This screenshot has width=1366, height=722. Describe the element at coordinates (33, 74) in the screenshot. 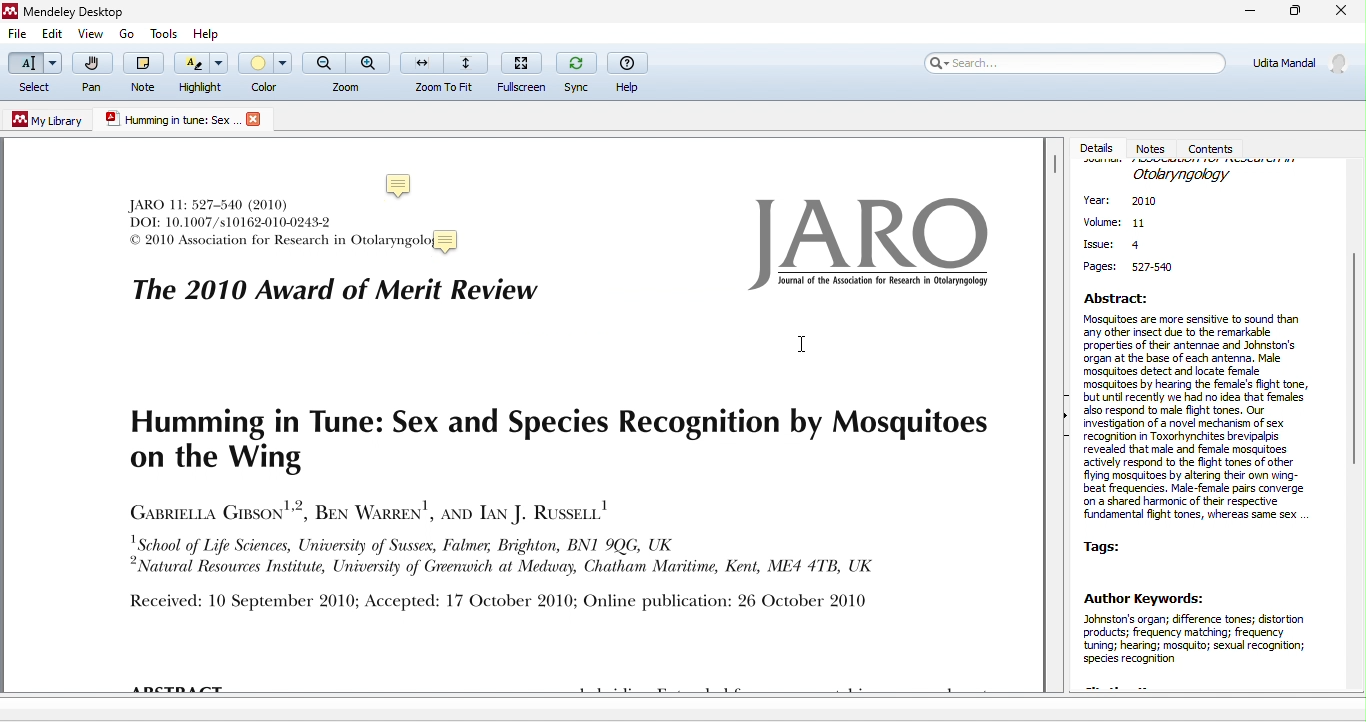

I see `select` at that location.